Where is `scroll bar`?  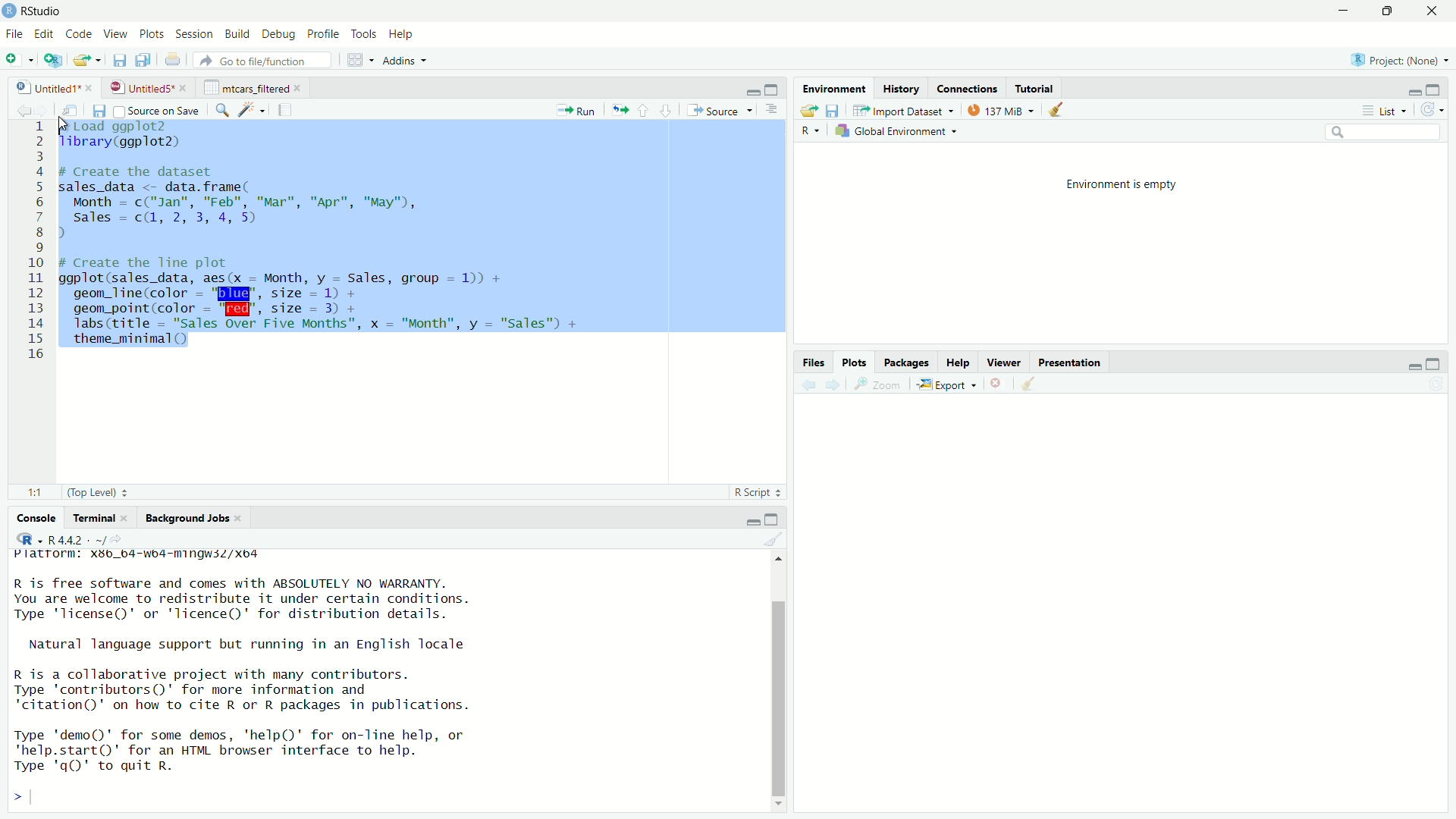
scroll bar is located at coordinates (777, 698).